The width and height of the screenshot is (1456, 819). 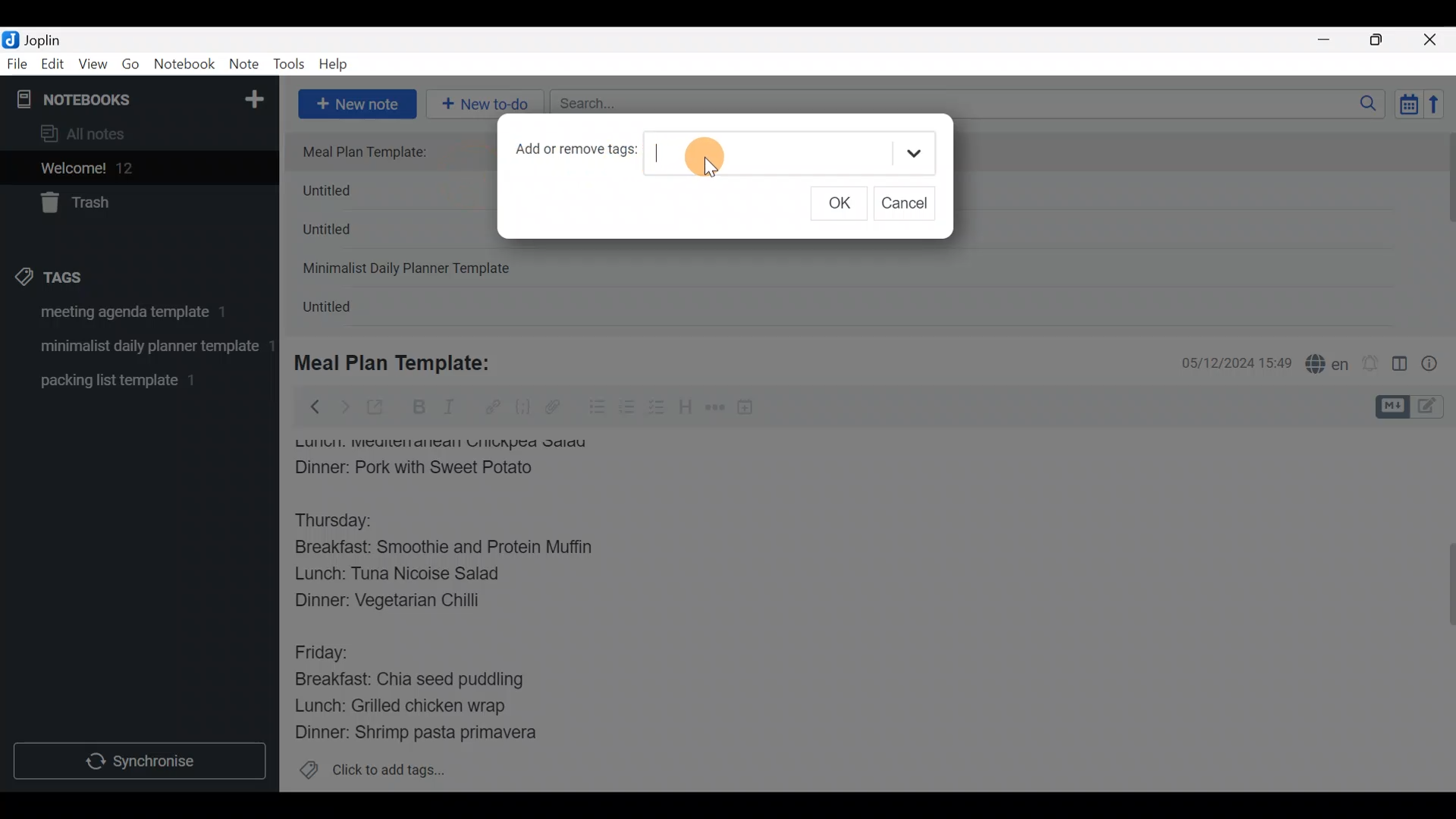 What do you see at coordinates (130, 67) in the screenshot?
I see `Go` at bounding box center [130, 67].